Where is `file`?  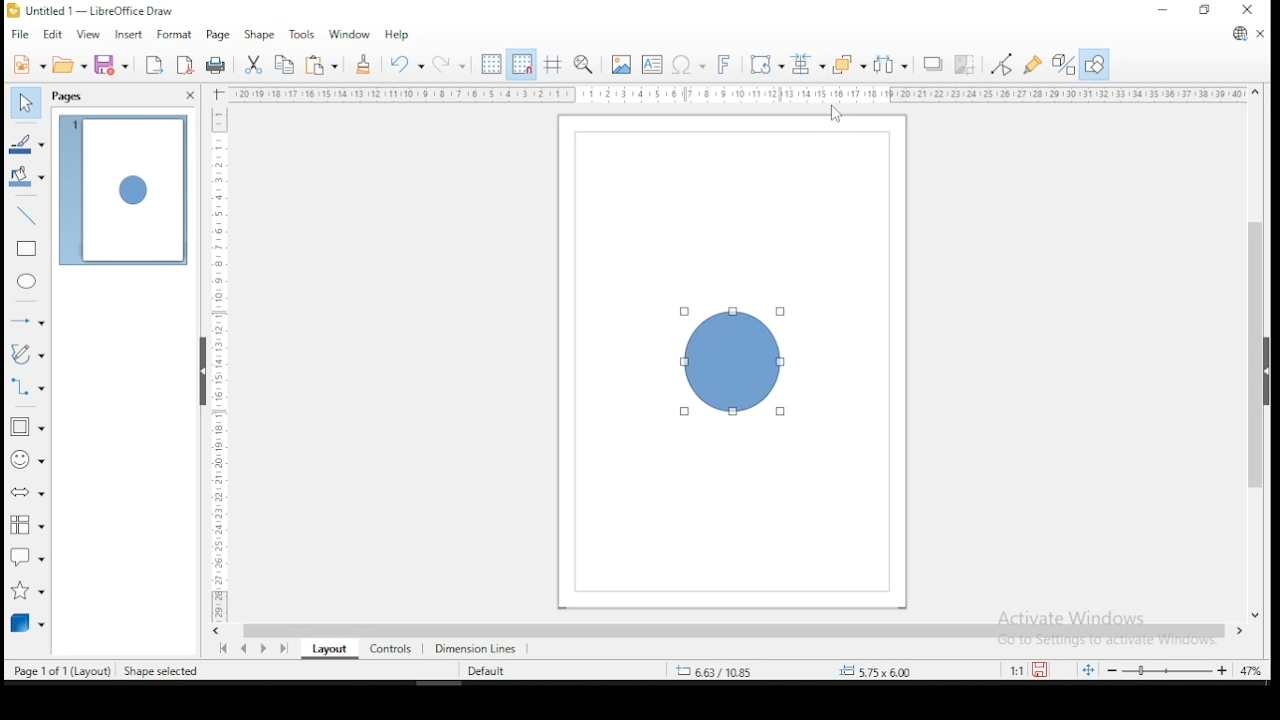 file is located at coordinates (21, 35).